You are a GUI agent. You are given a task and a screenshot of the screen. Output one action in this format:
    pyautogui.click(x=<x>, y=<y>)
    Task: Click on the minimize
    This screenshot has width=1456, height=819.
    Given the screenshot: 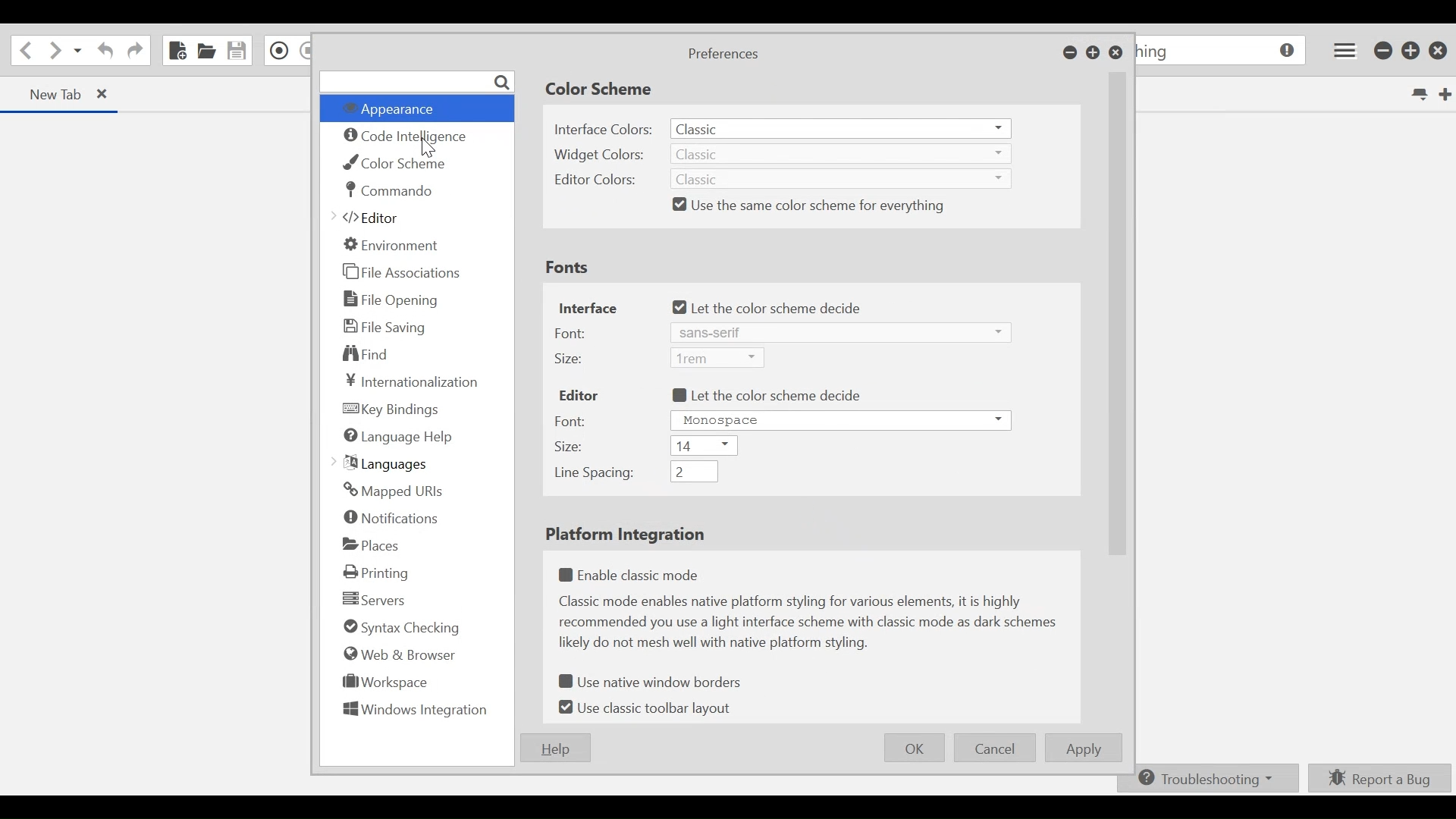 What is the action you would take?
    pyautogui.click(x=1384, y=52)
    